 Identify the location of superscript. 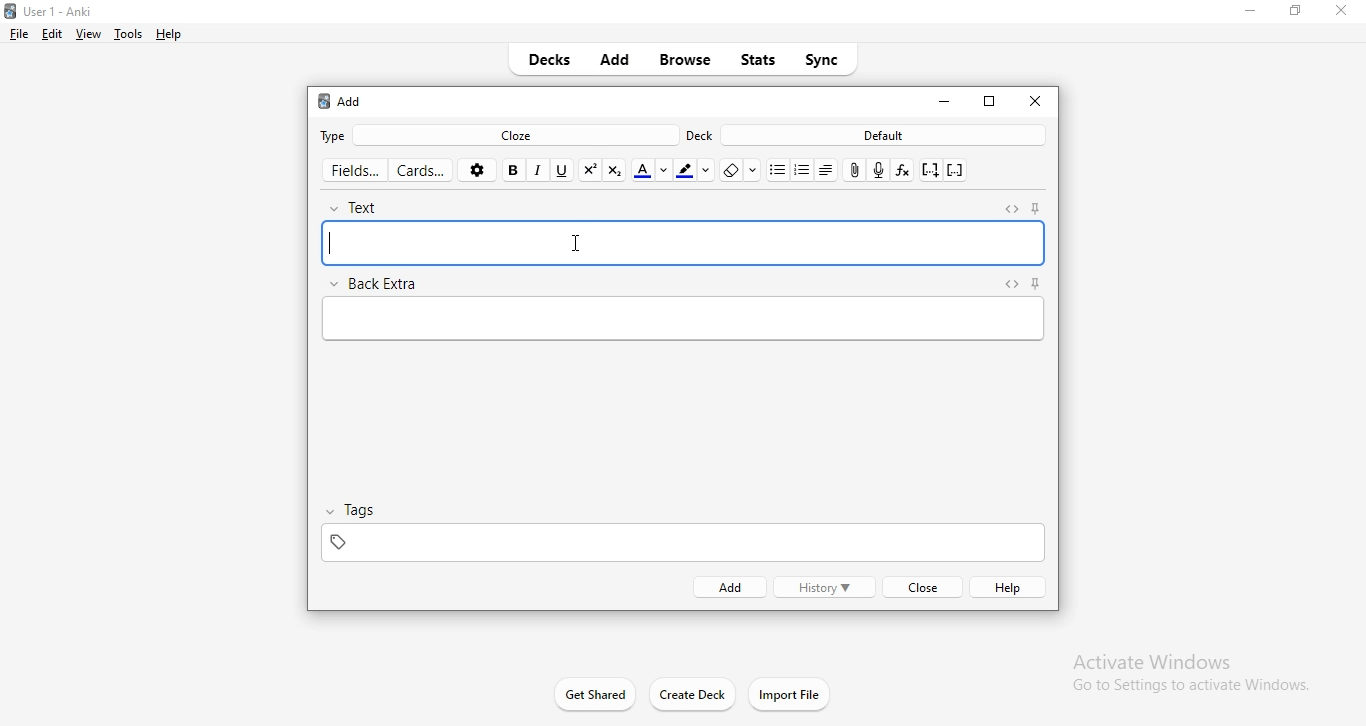
(590, 169).